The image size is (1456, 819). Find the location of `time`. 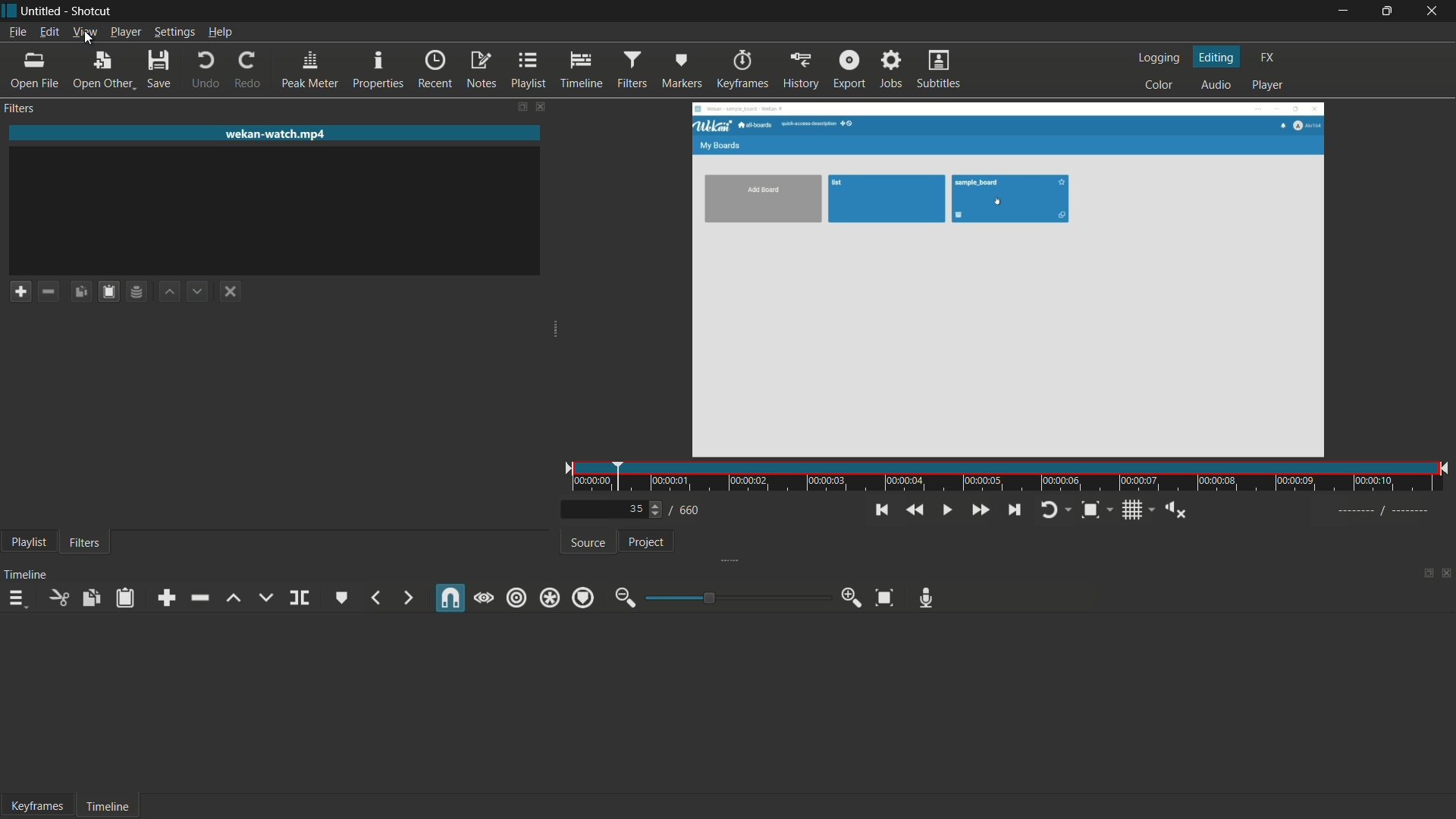

time is located at coordinates (1009, 476).